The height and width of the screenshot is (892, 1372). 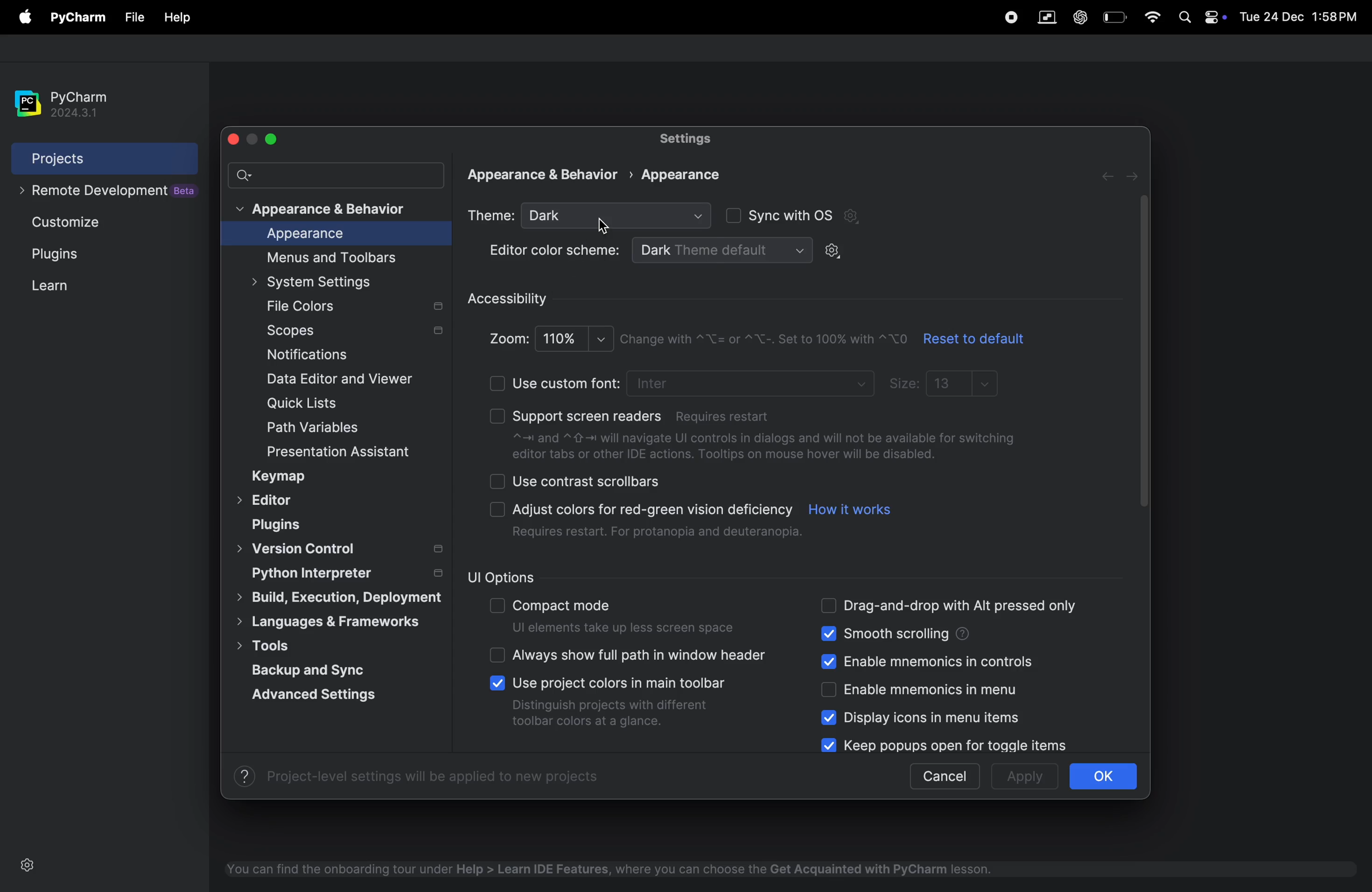 What do you see at coordinates (951, 718) in the screenshot?
I see `display icons in menu items` at bounding box center [951, 718].